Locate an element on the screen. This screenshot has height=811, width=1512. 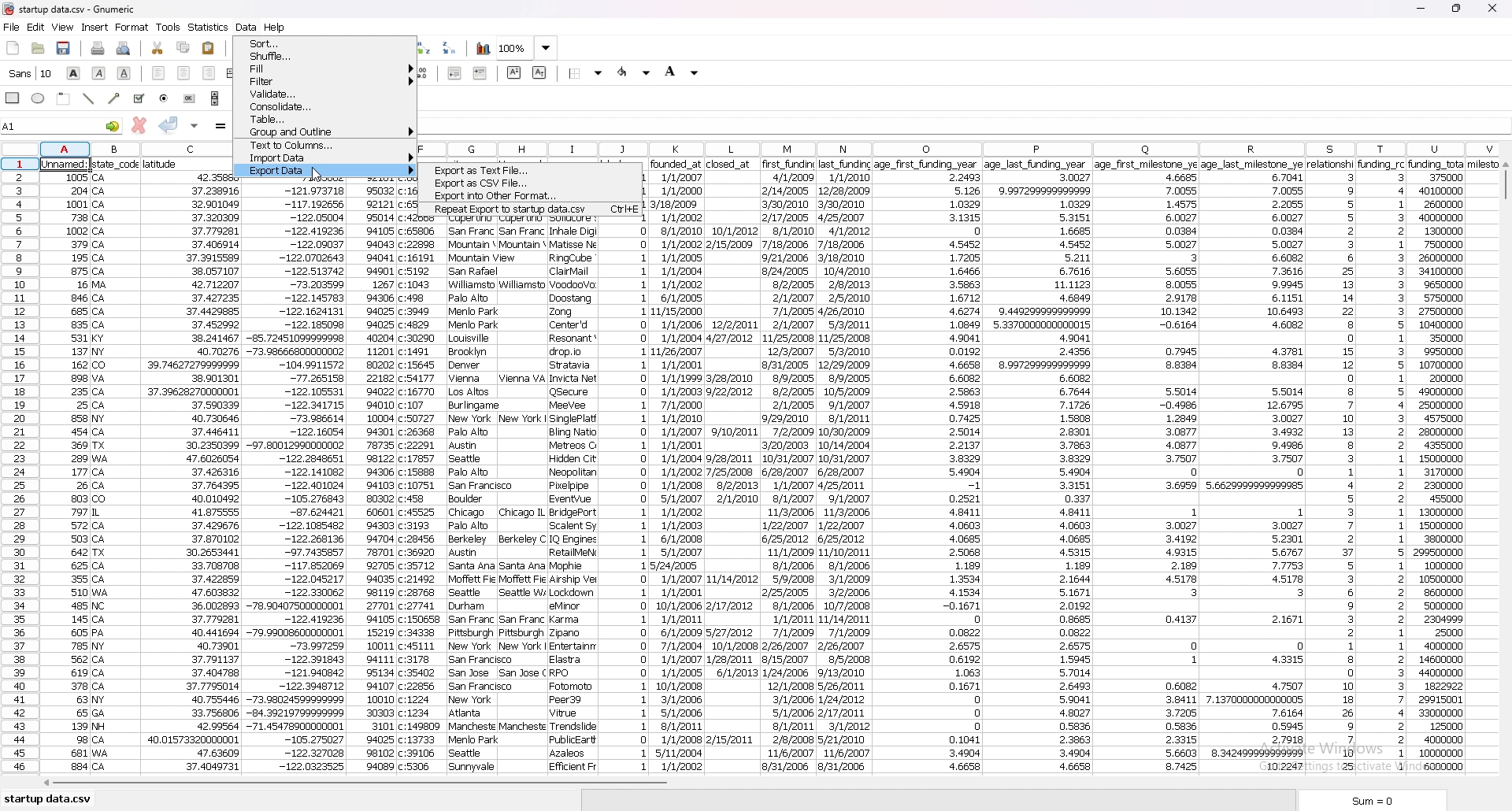
new is located at coordinates (13, 49).